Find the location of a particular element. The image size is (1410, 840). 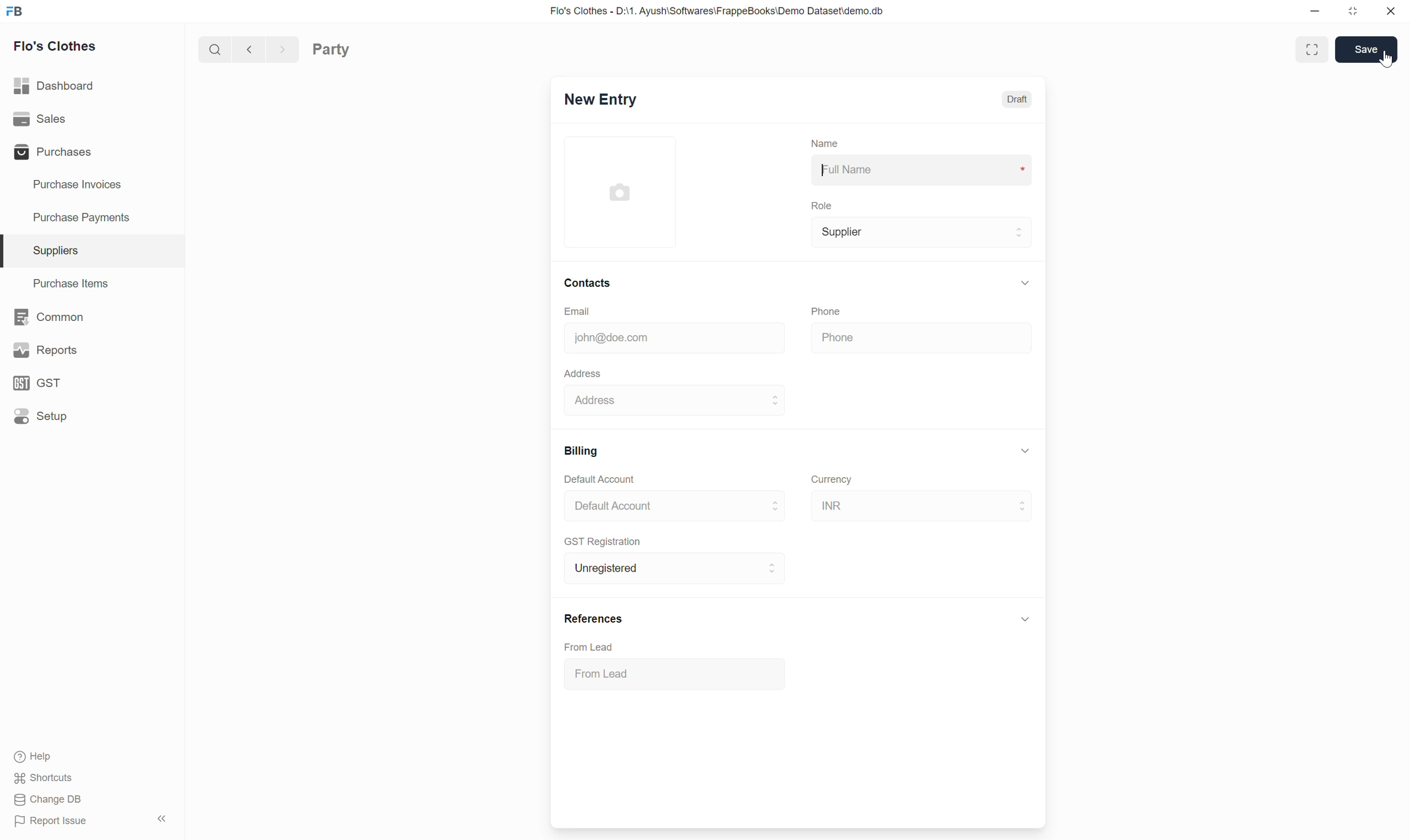

Address is located at coordinates (583, 373).